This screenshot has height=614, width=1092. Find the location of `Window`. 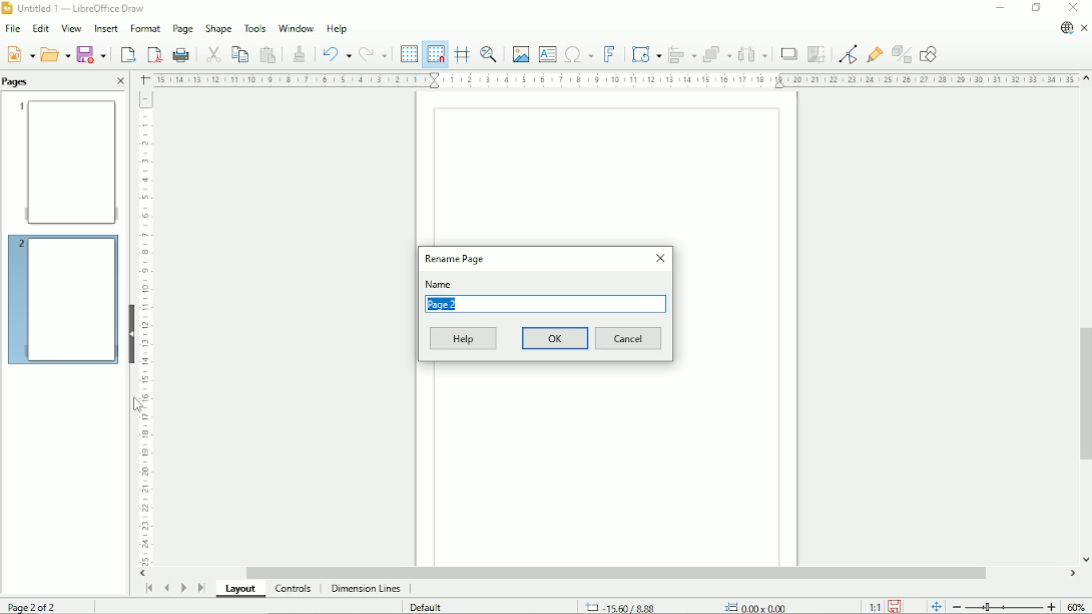

Window is located at coordinates (296, 26).